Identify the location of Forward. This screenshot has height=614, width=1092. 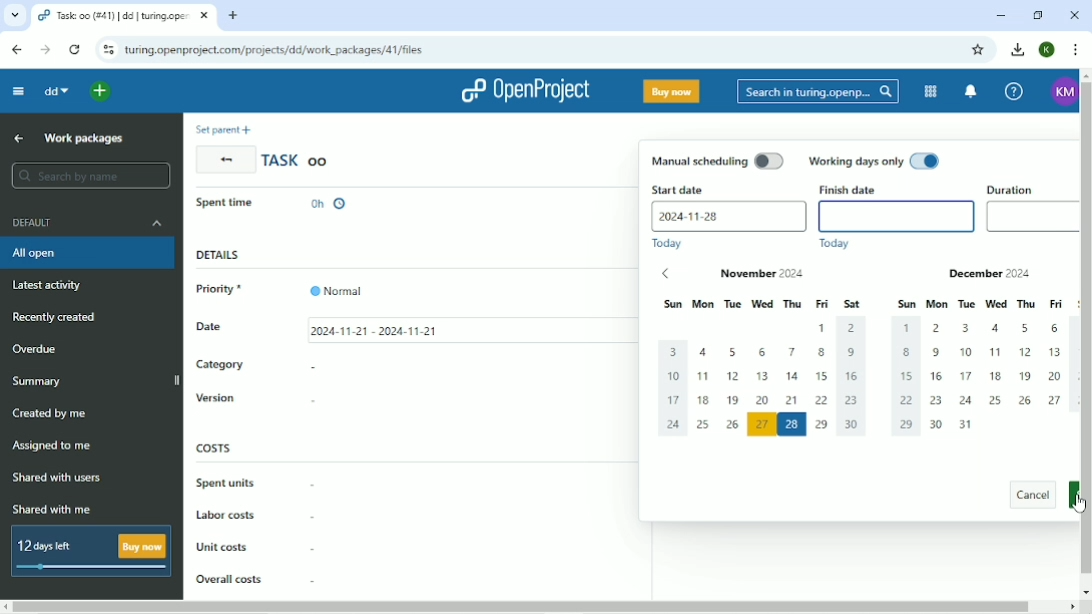
(45, 50).